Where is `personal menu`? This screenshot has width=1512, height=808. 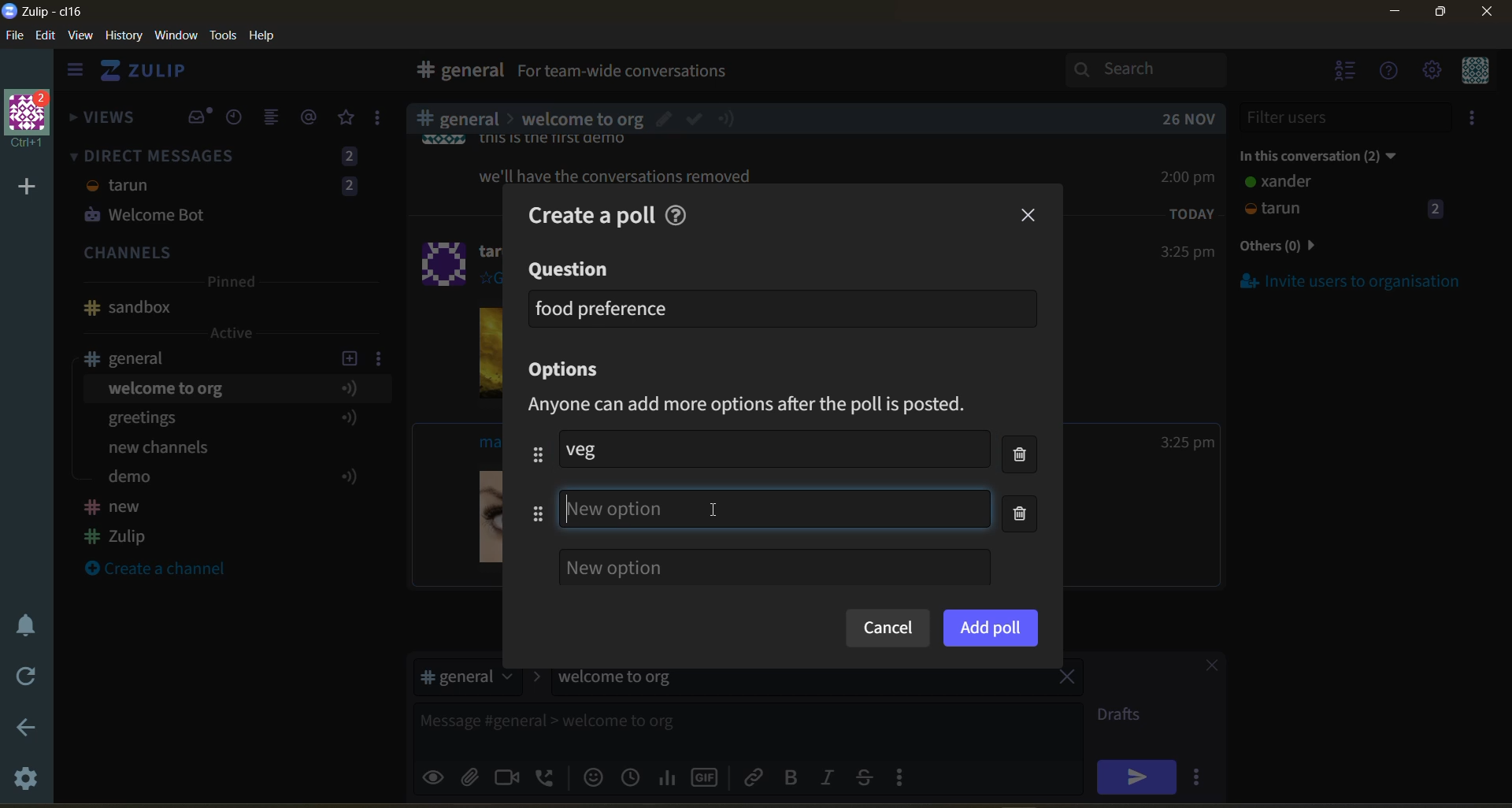 personal menu is located at coordinates (1473, 72).